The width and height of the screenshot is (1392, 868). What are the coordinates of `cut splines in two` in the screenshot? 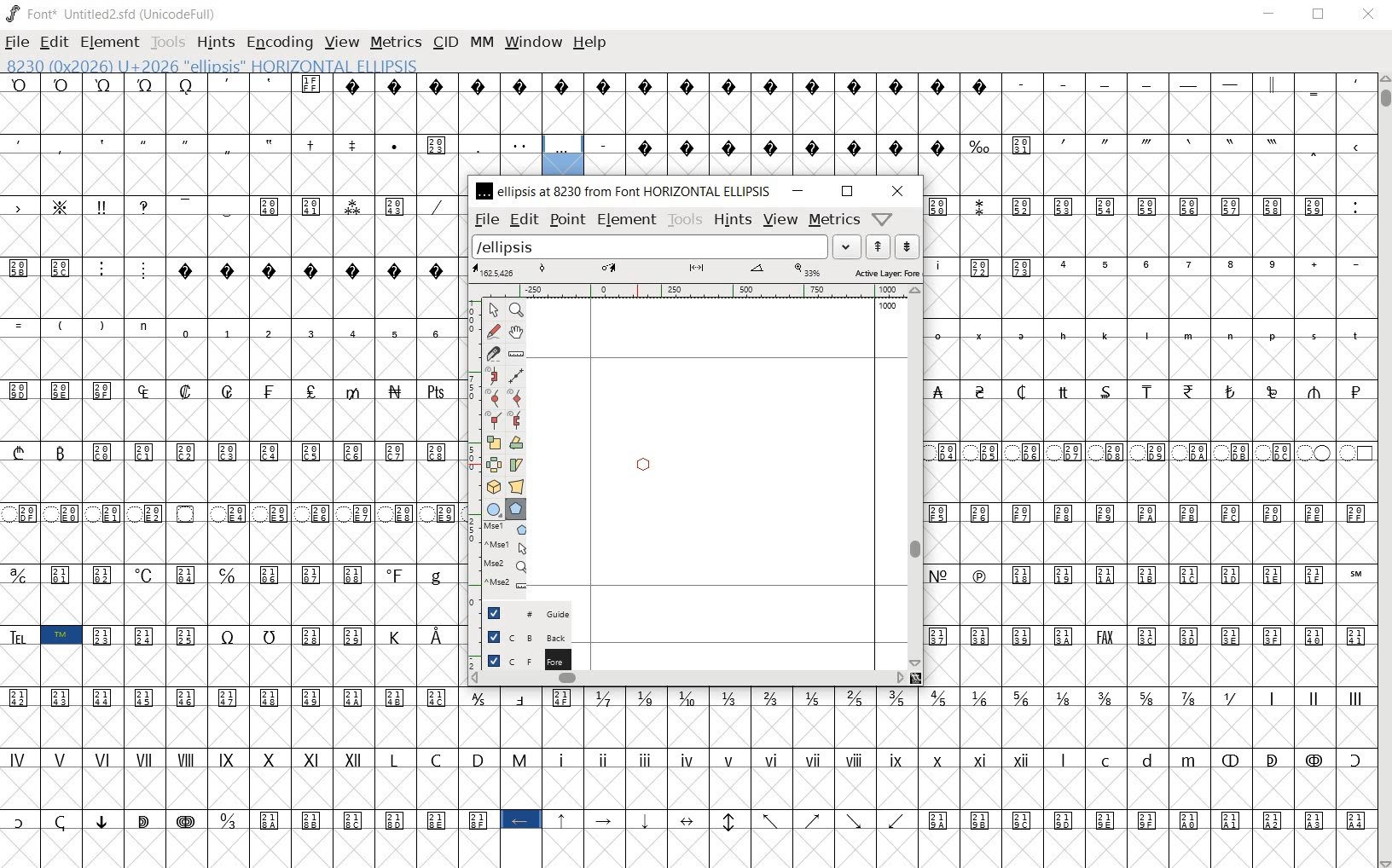 It's located at (494, 354).